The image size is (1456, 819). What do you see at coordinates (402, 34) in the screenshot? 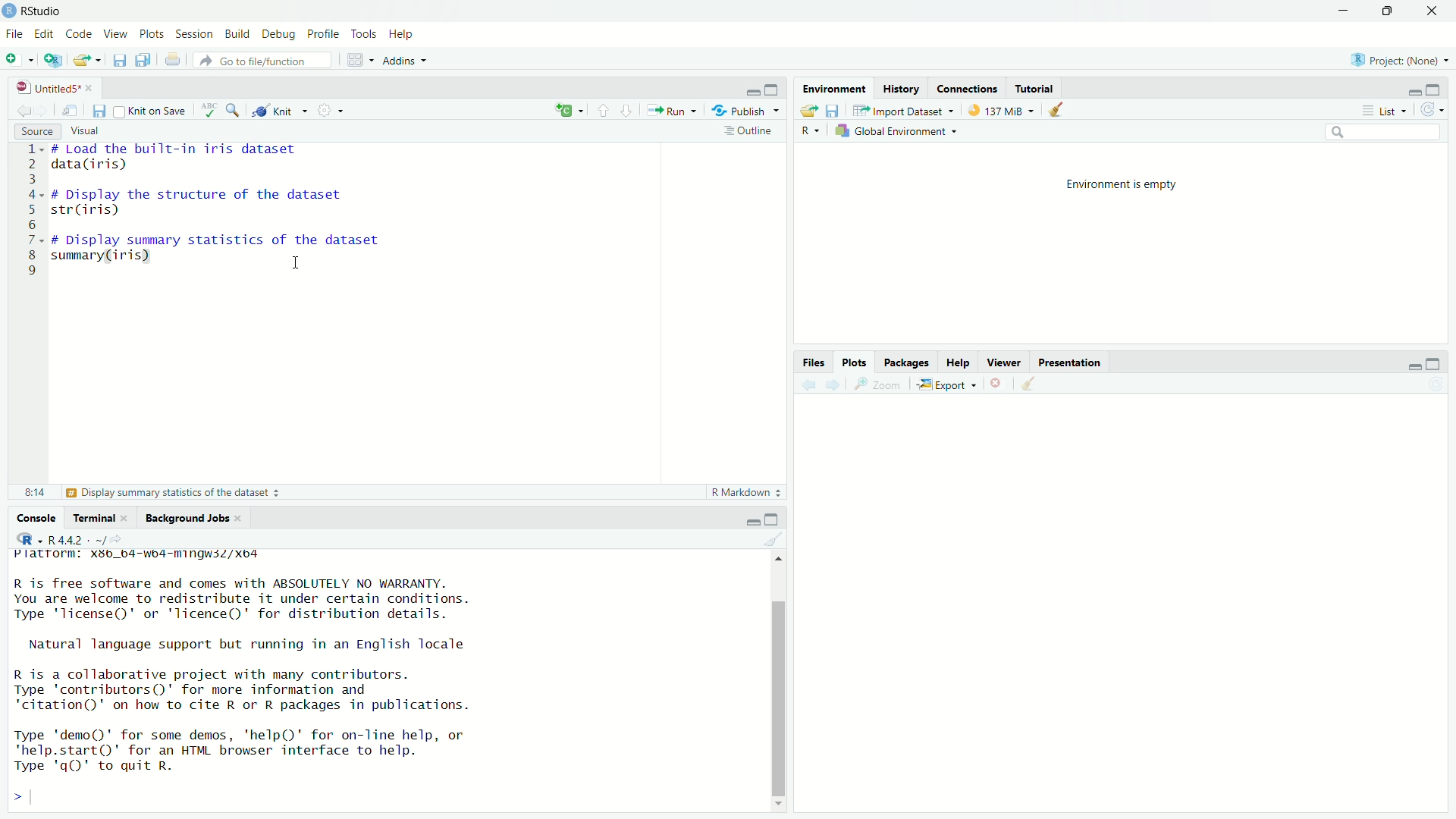
I see `Help` at bounding box center [402, 34].